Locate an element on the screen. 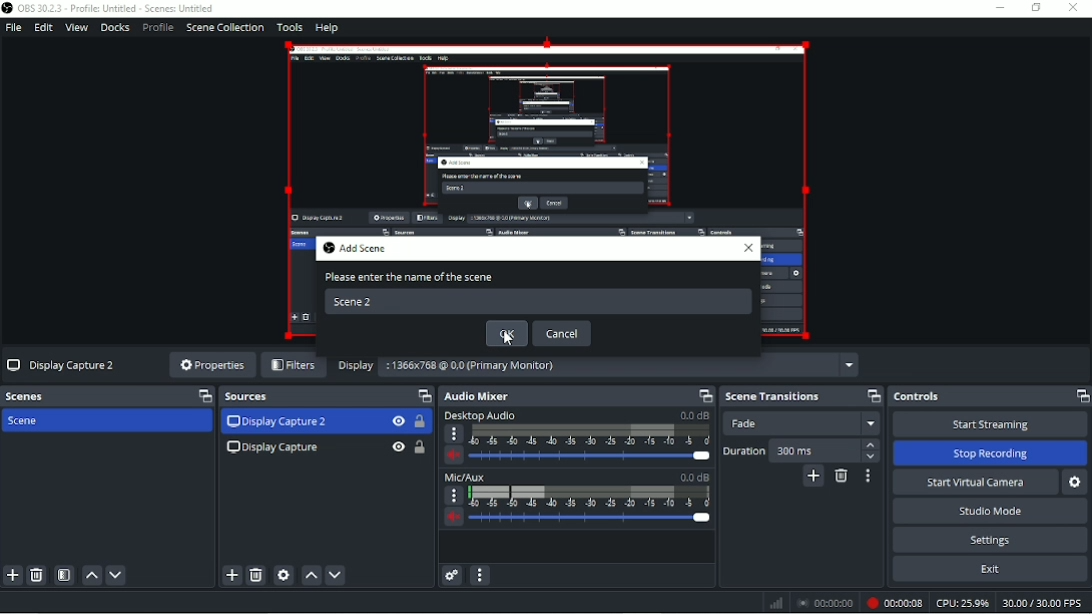 The image size is (1092, 614). Move source(s) up is located at coordinates (311, 576).